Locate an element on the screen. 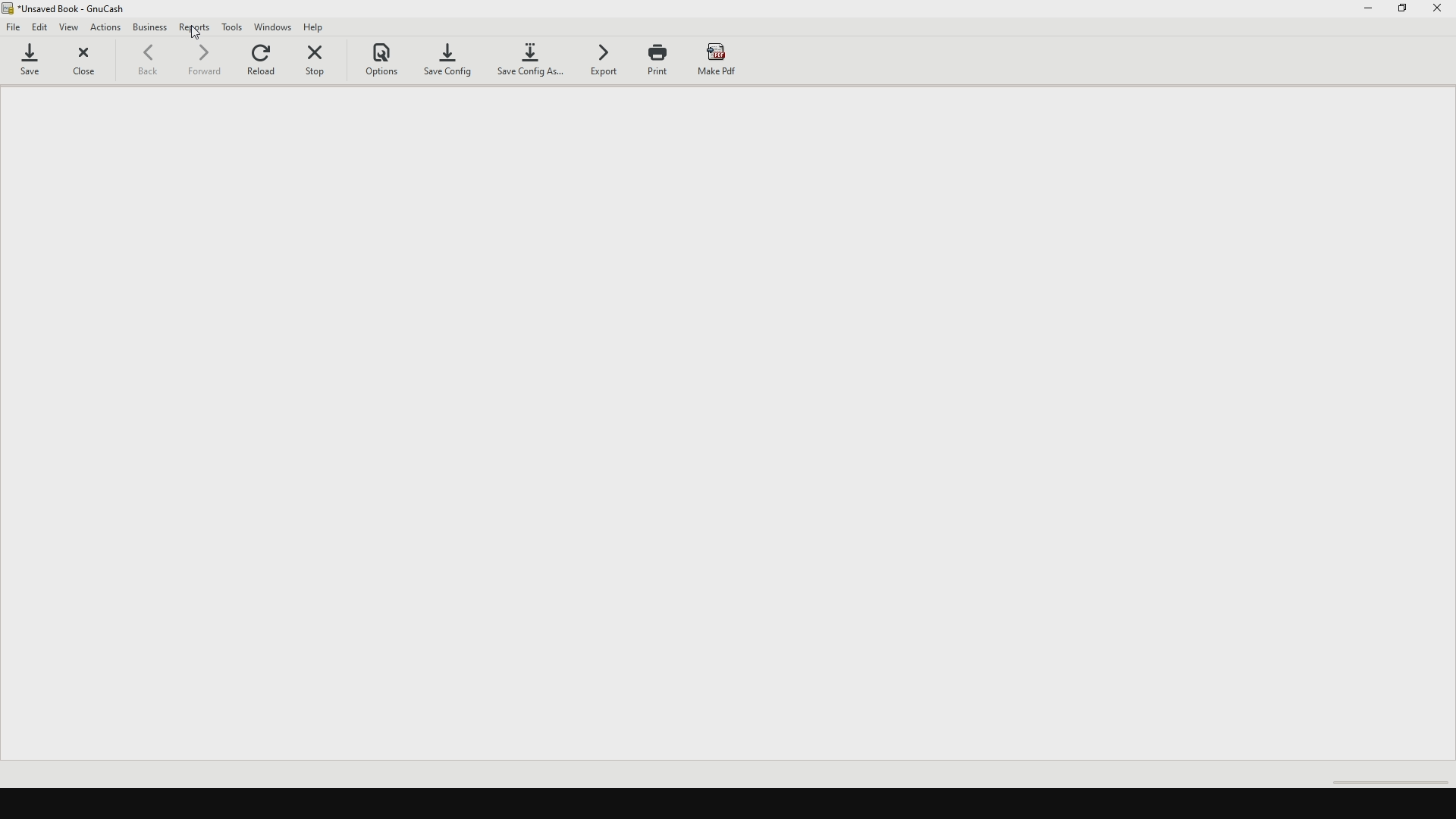 The width and height of the screenshot is (1456, 819). actions is located at coordinates (106, 28).